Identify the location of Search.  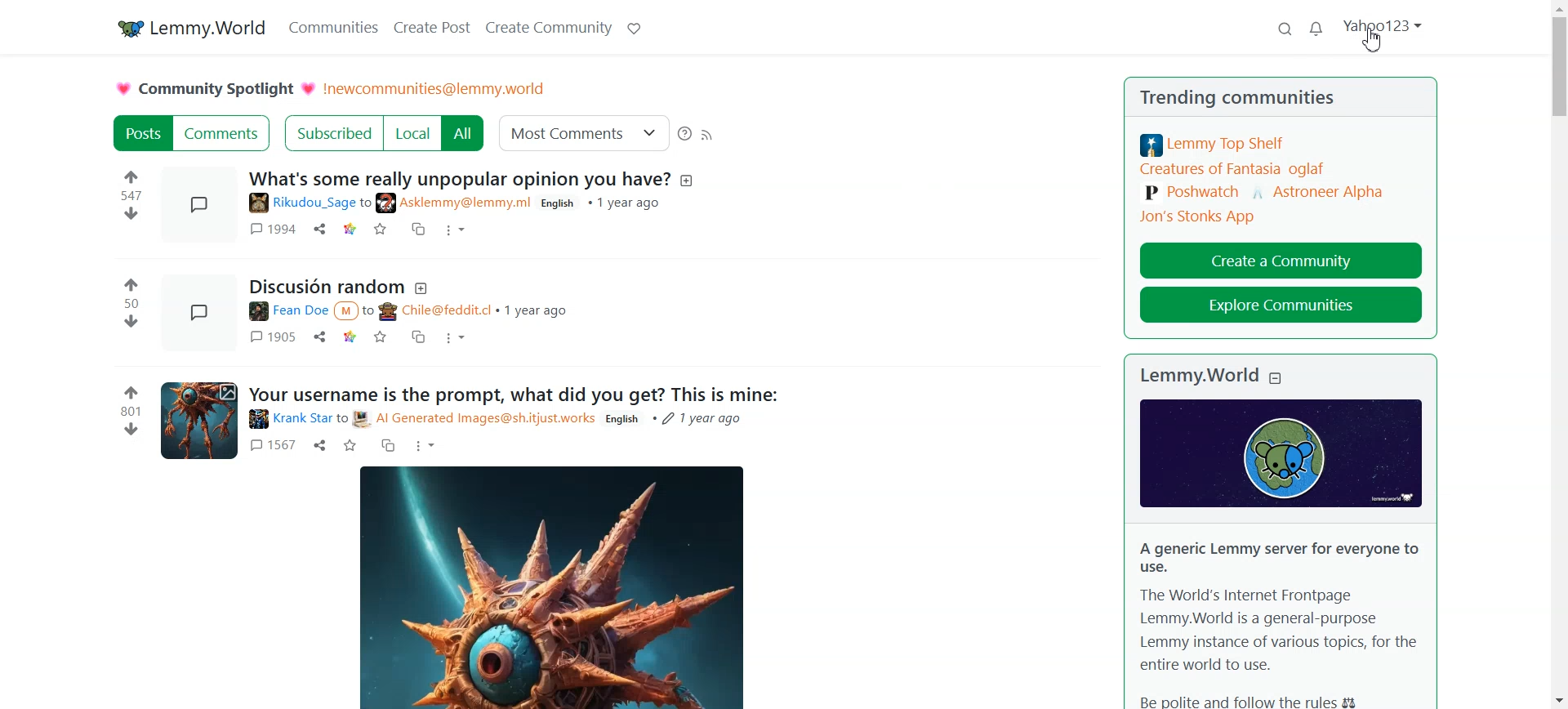
(1285, 30).